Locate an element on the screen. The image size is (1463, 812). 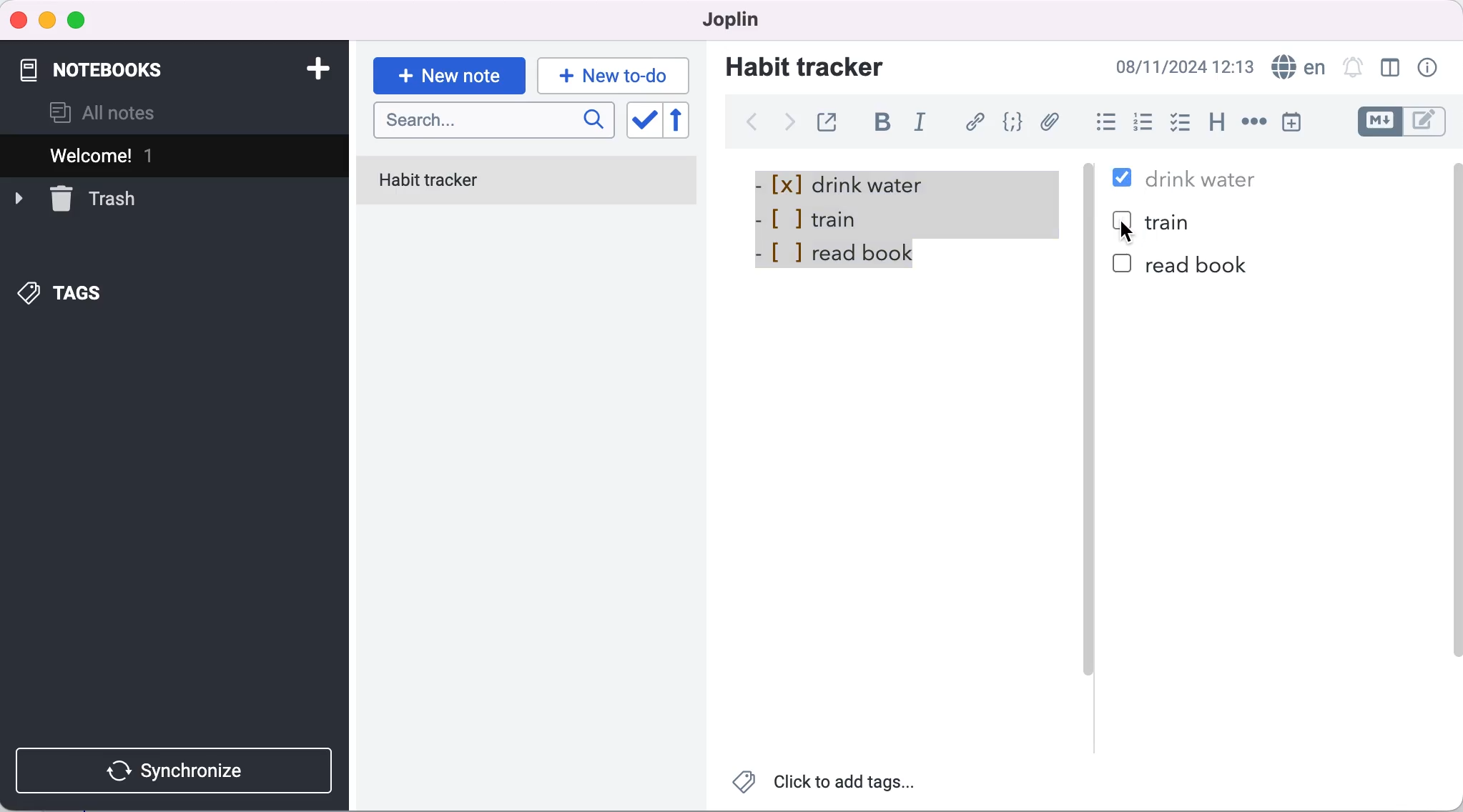
cursor is located at coordinates (1124, 235).